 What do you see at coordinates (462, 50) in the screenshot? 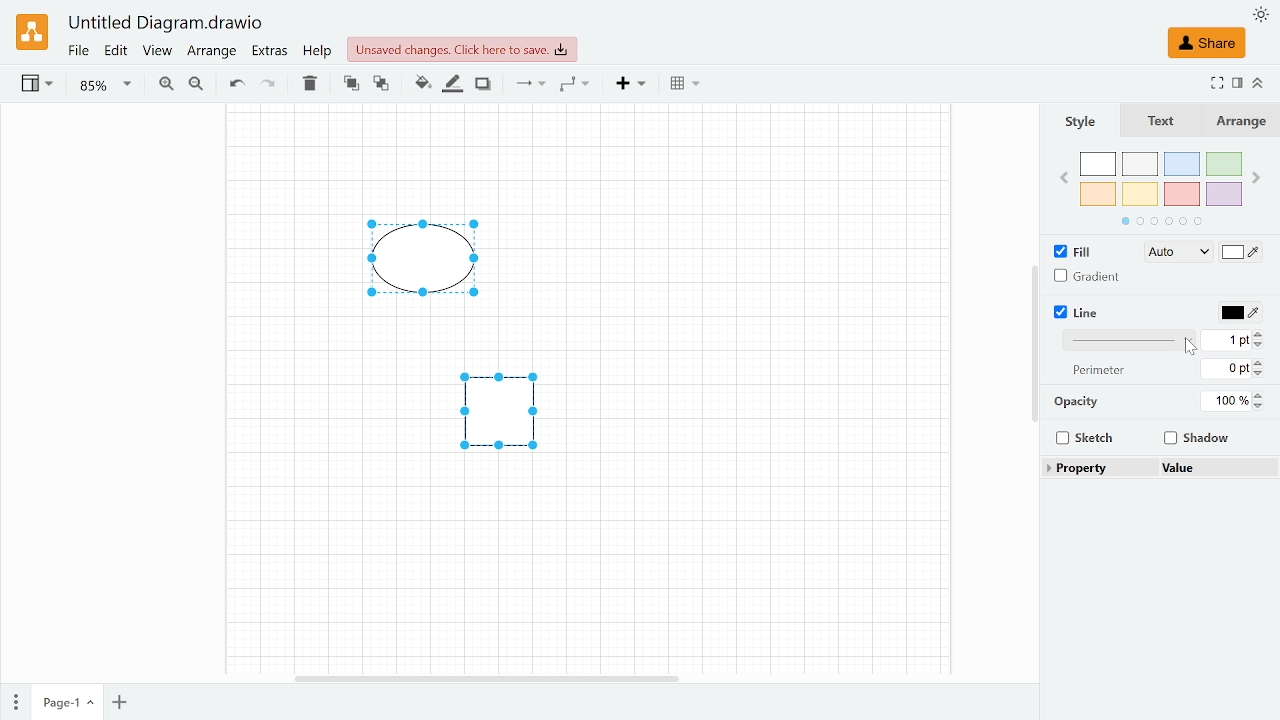
I see `Unsaved changes. click here to save` at bounding box center [462, 50].